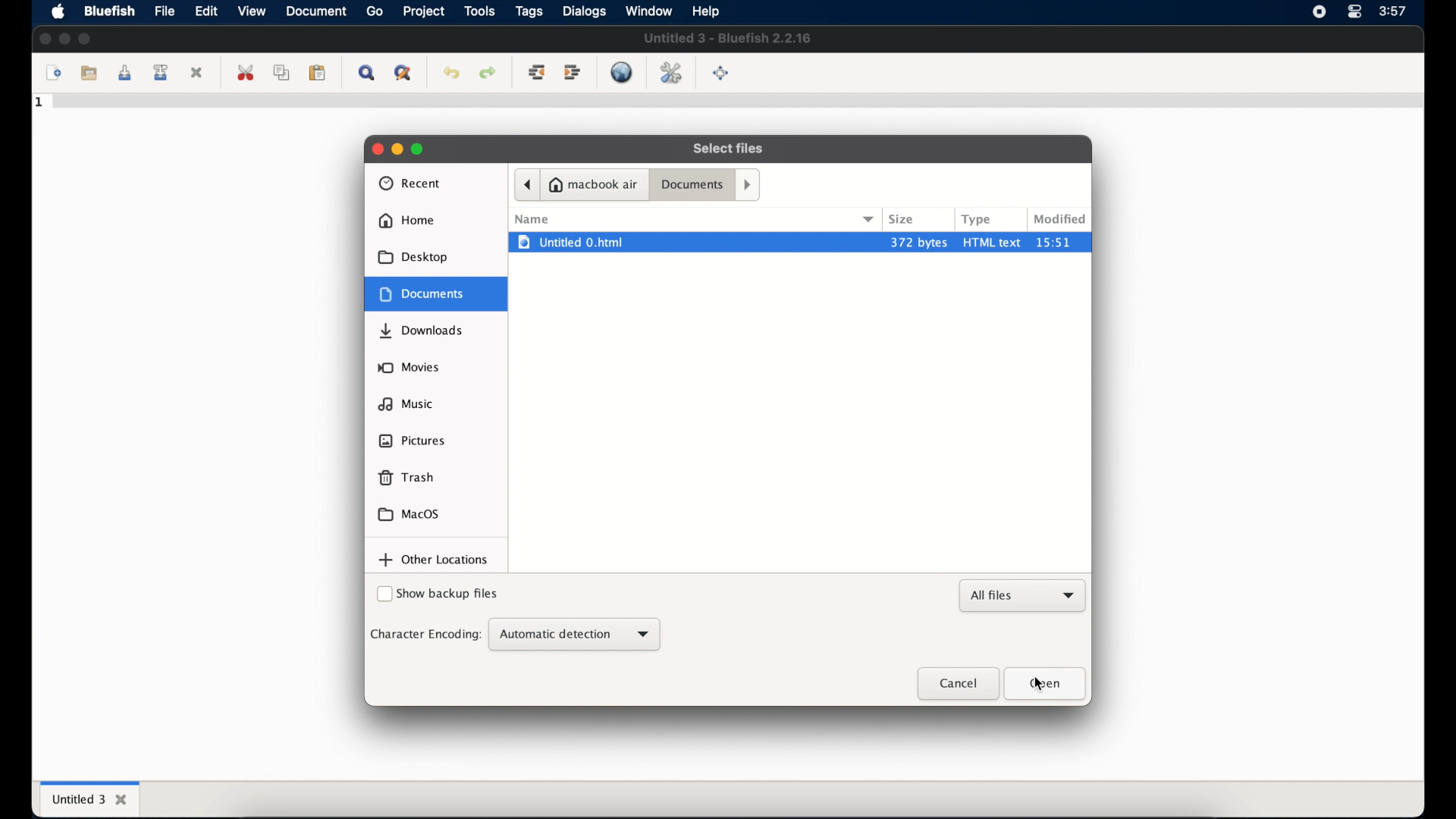  Describe the element at coordinates (623, 72) in the screenshot. I see `preview in browser` at that location.